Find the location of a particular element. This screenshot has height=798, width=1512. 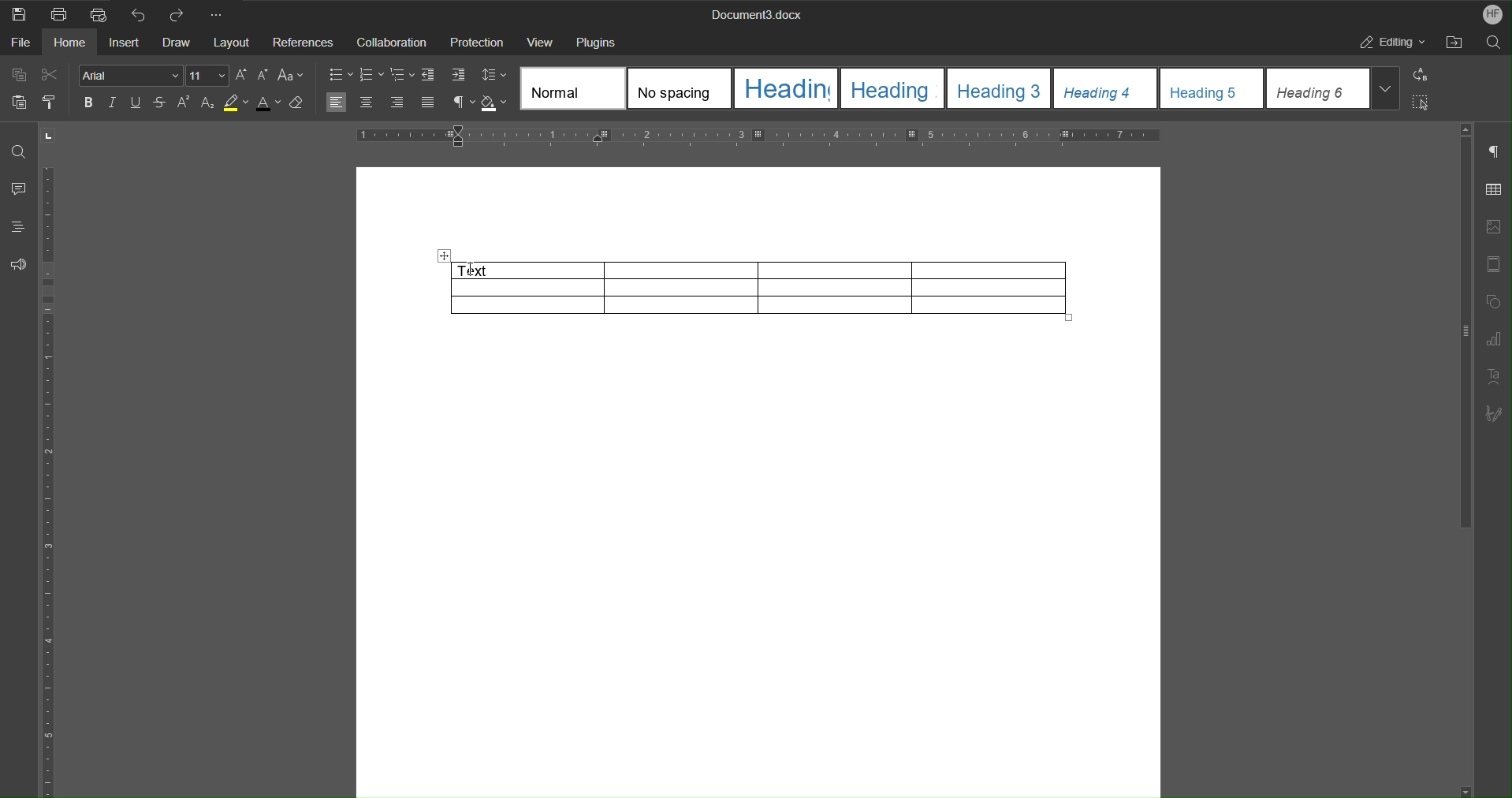

Italics is located at coordinates (114, 103).